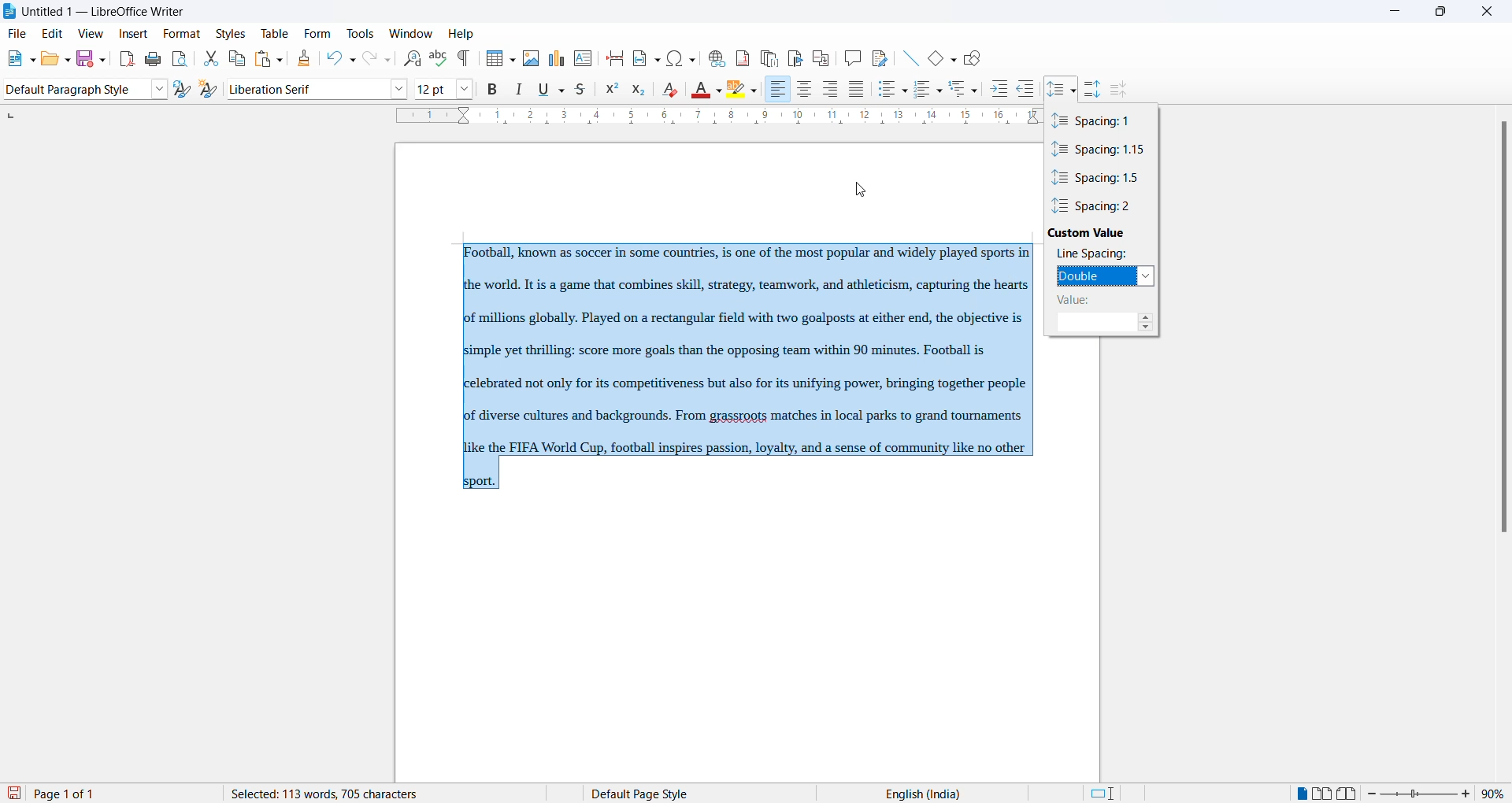 The height and width of the screenshot is (803, 1512). What do you see at coordinates (306, 58) in the screenshot?
I see `clone formatting` at bounding box center [306, 58].